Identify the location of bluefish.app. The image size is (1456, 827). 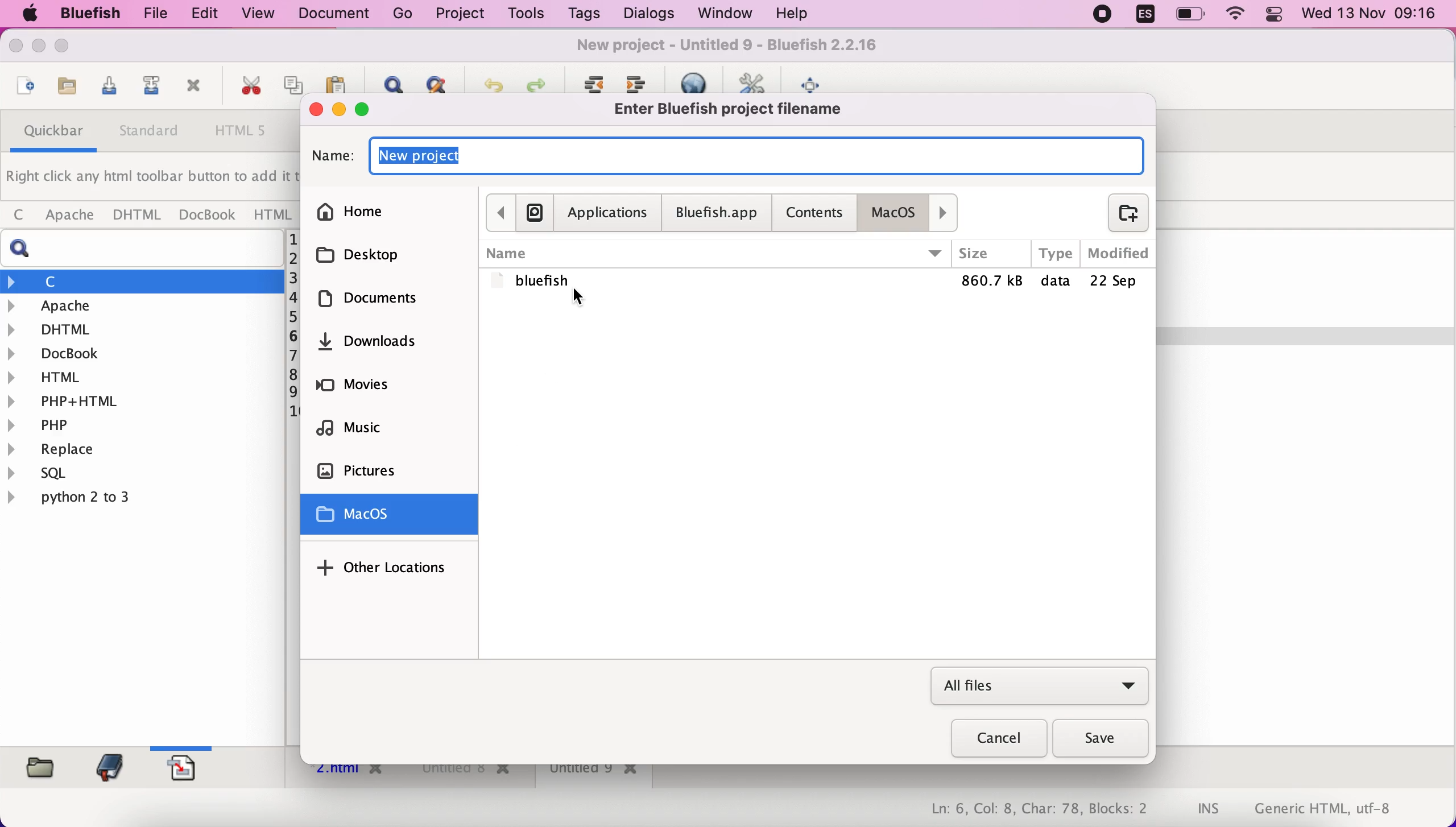
(715, 214).